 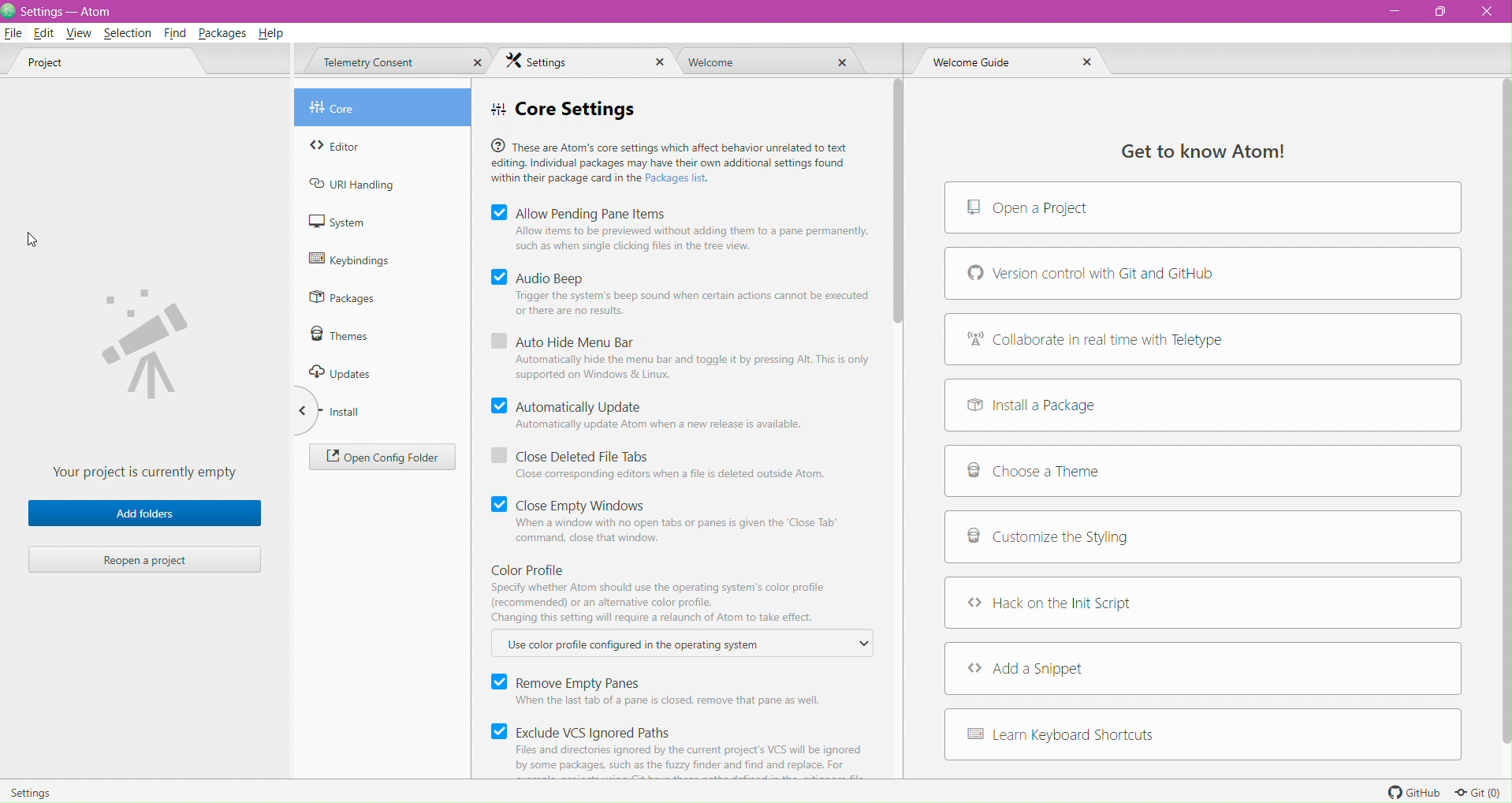 What do you see at coordinates (1204, 603) in the screenshot?
I see `Hack on the Init Script` at bounding box center [1204, 603].